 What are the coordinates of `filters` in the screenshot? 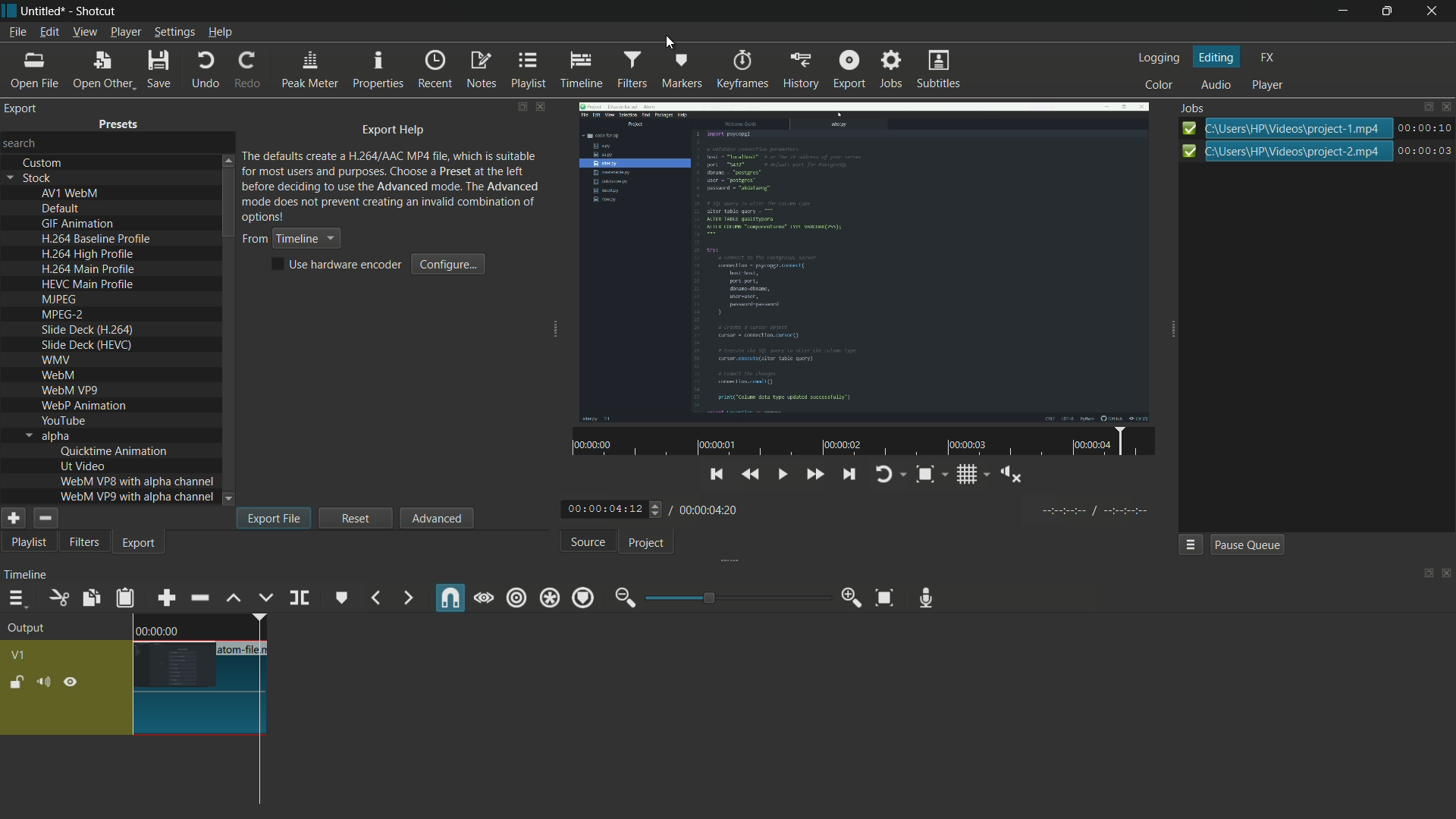 It's located at (632, 69).